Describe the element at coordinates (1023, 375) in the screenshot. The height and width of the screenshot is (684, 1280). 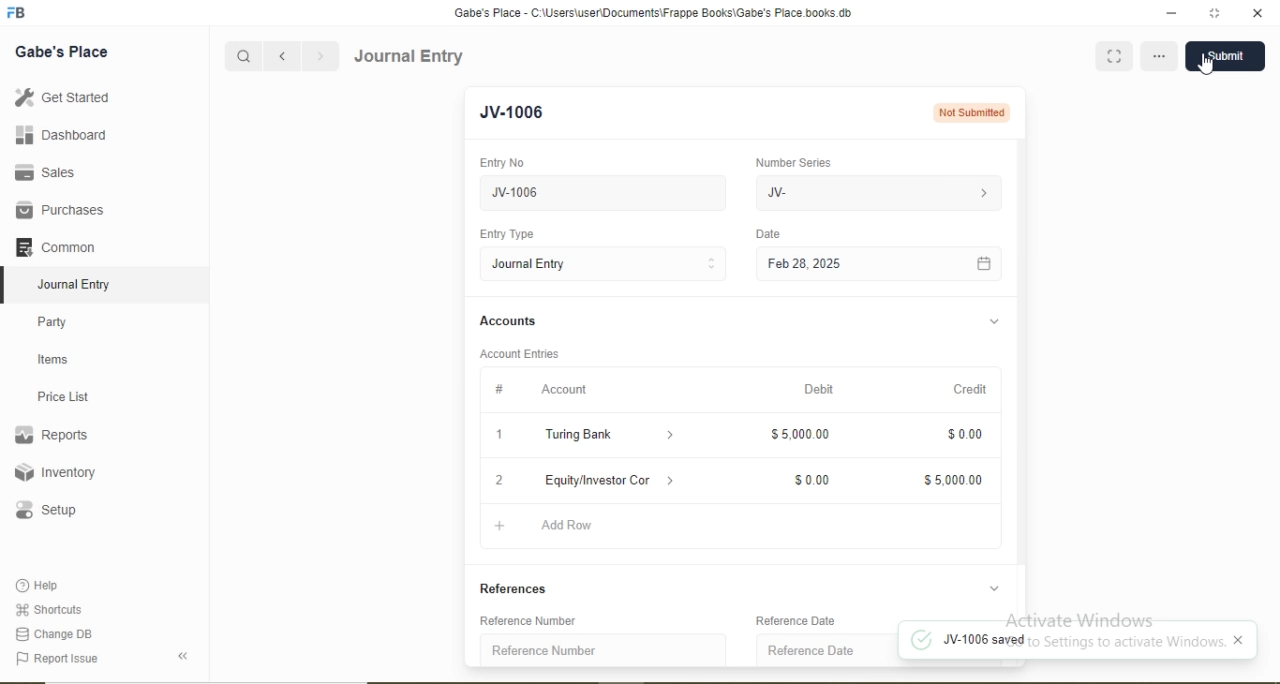
I see `Scroll bar` at that location.